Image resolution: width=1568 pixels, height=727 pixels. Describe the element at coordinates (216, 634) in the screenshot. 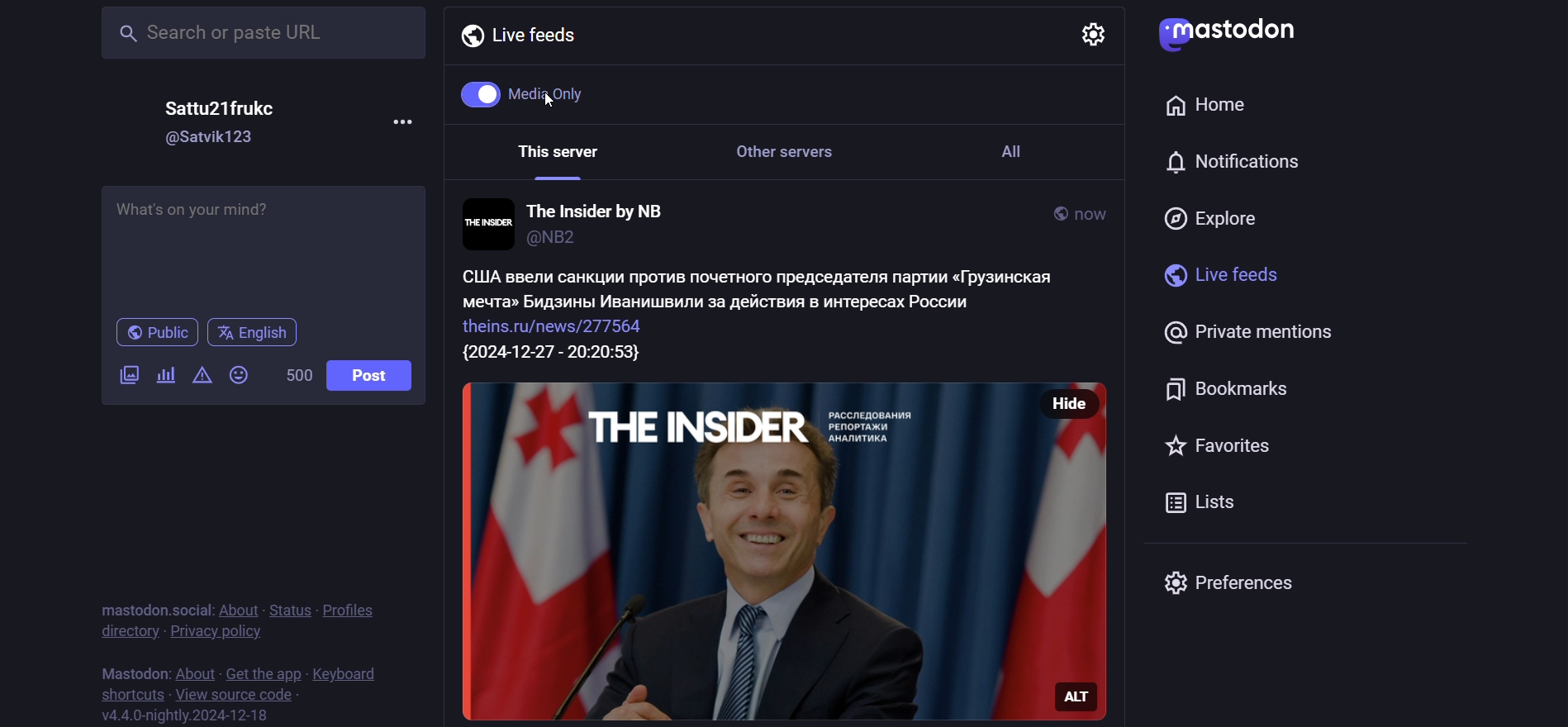

I see `privacy policy` at that location.